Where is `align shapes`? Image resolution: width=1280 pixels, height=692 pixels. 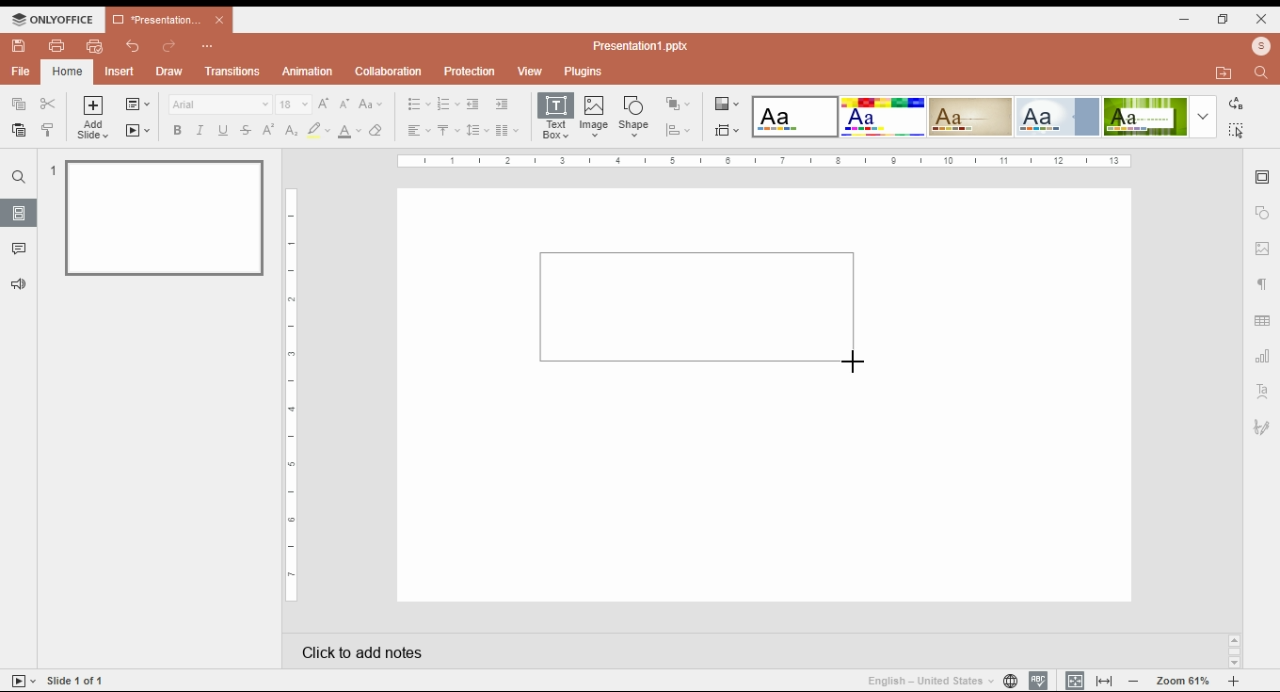 align shapes is located at coordinates (678, 132).